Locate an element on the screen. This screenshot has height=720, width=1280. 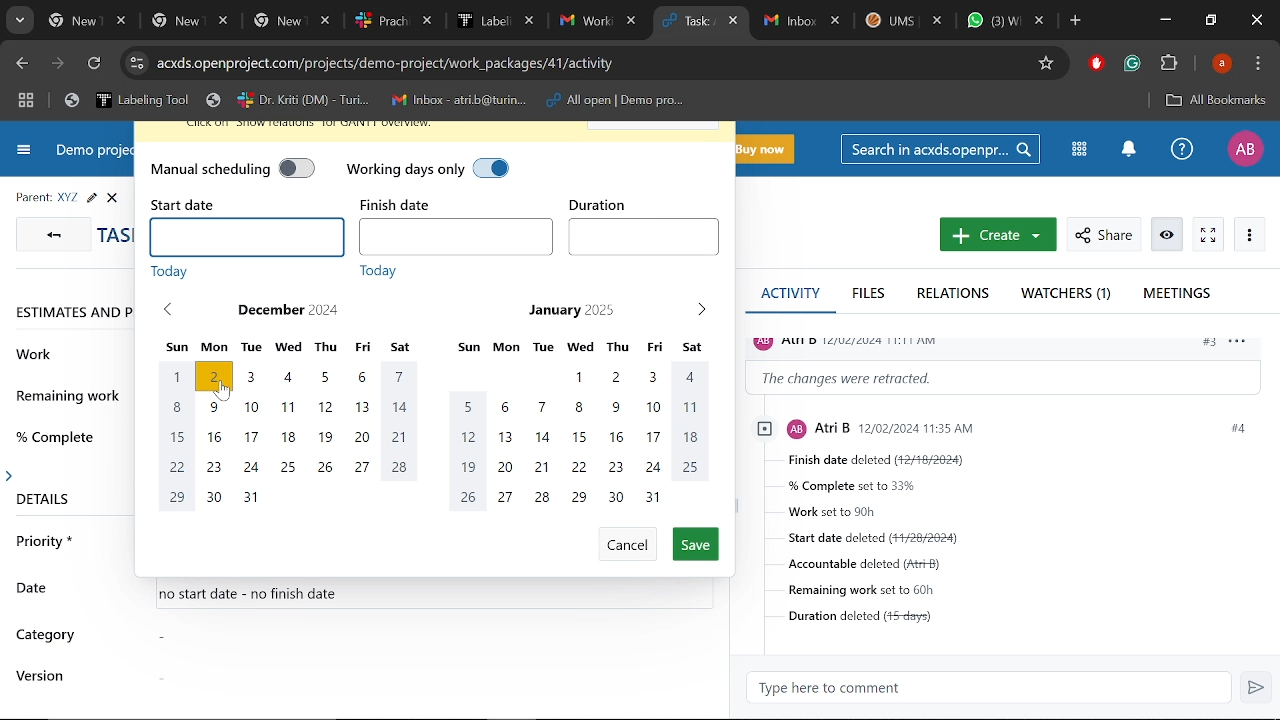
work is located at coordinates (37, 354).